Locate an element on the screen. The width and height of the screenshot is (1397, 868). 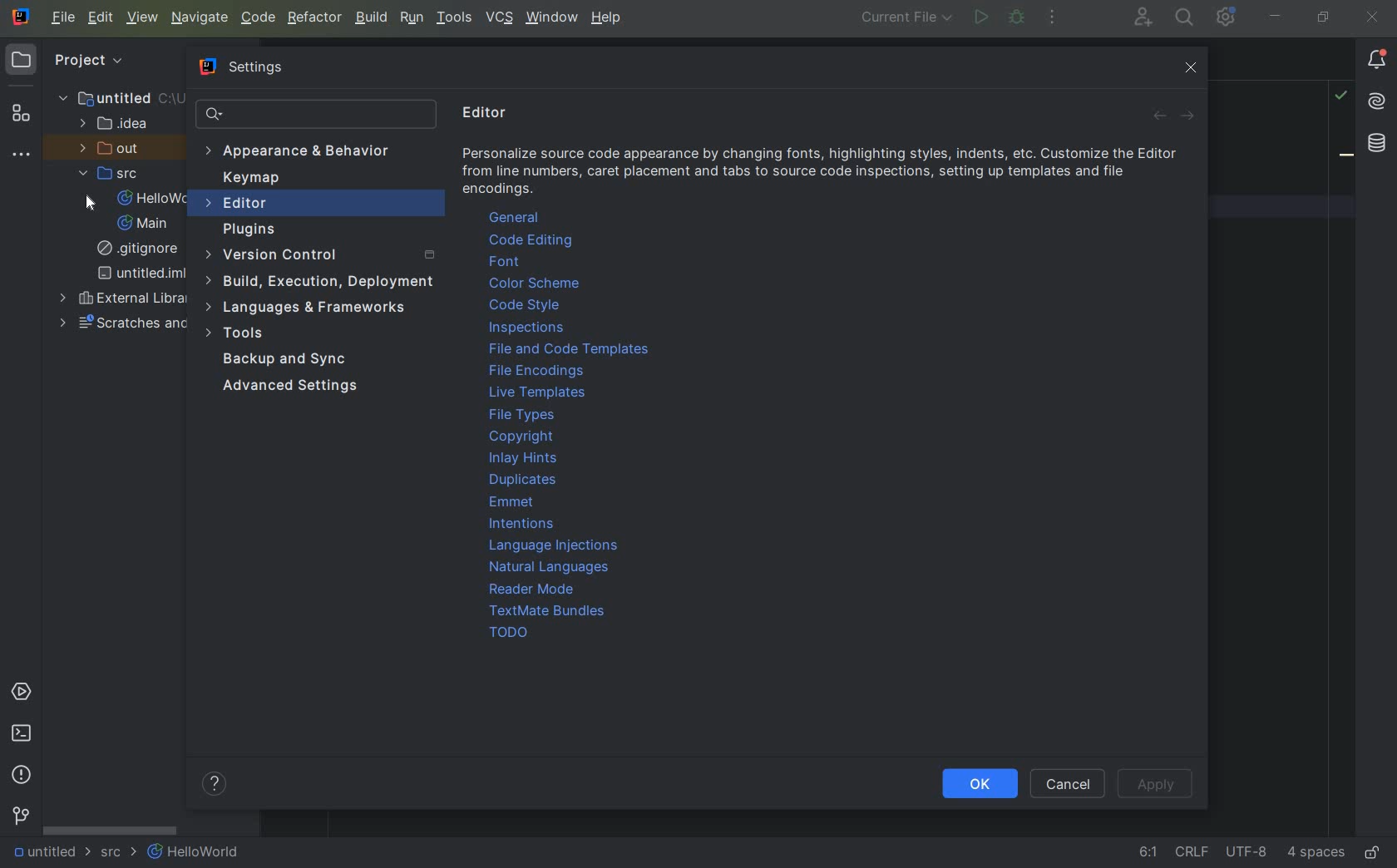
file and code templates is located at coordinates (572, 348).